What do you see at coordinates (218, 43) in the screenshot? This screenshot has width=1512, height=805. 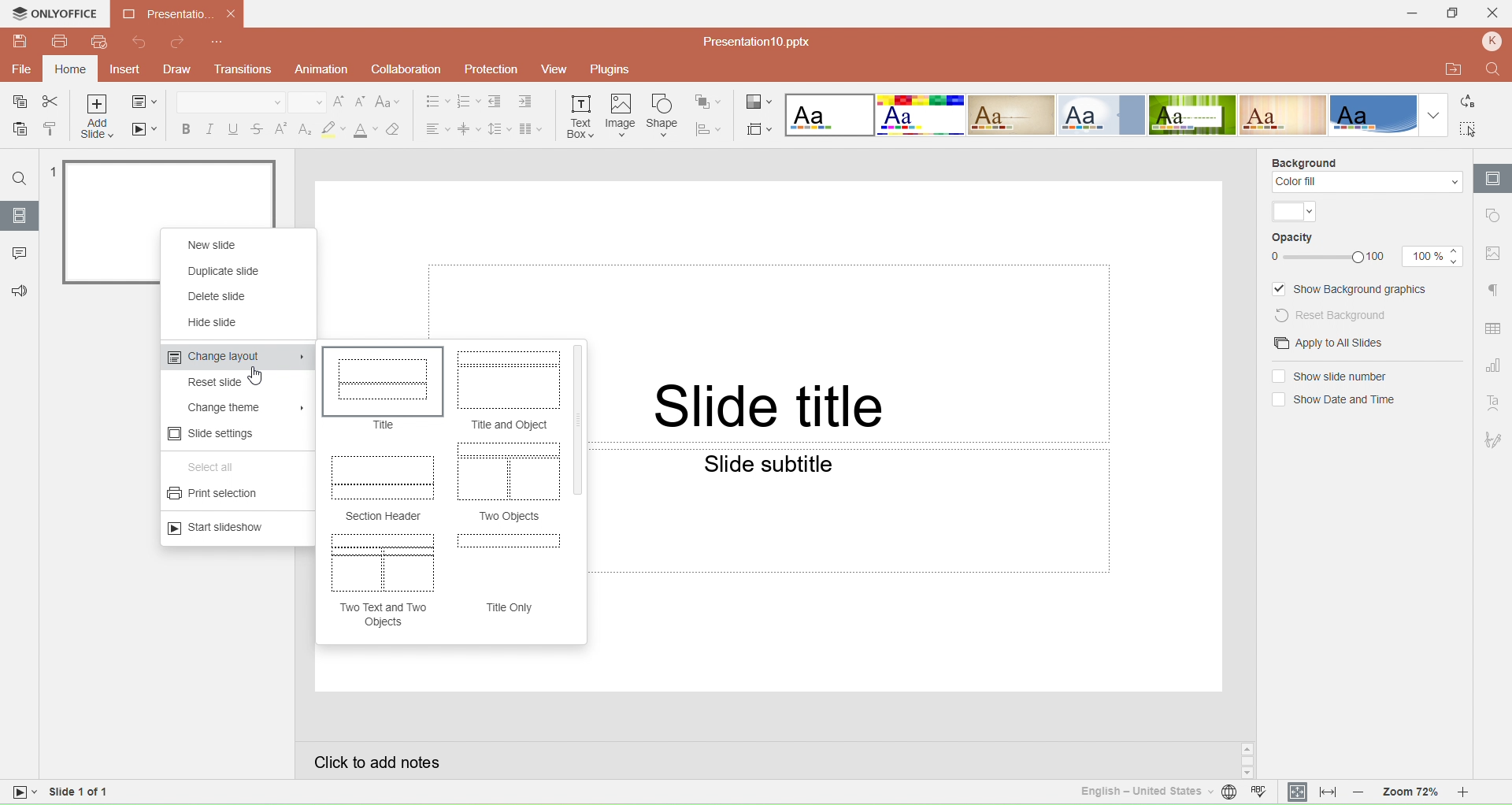 I see `Customize quick access toolbar` at bounding box center [218, 43].